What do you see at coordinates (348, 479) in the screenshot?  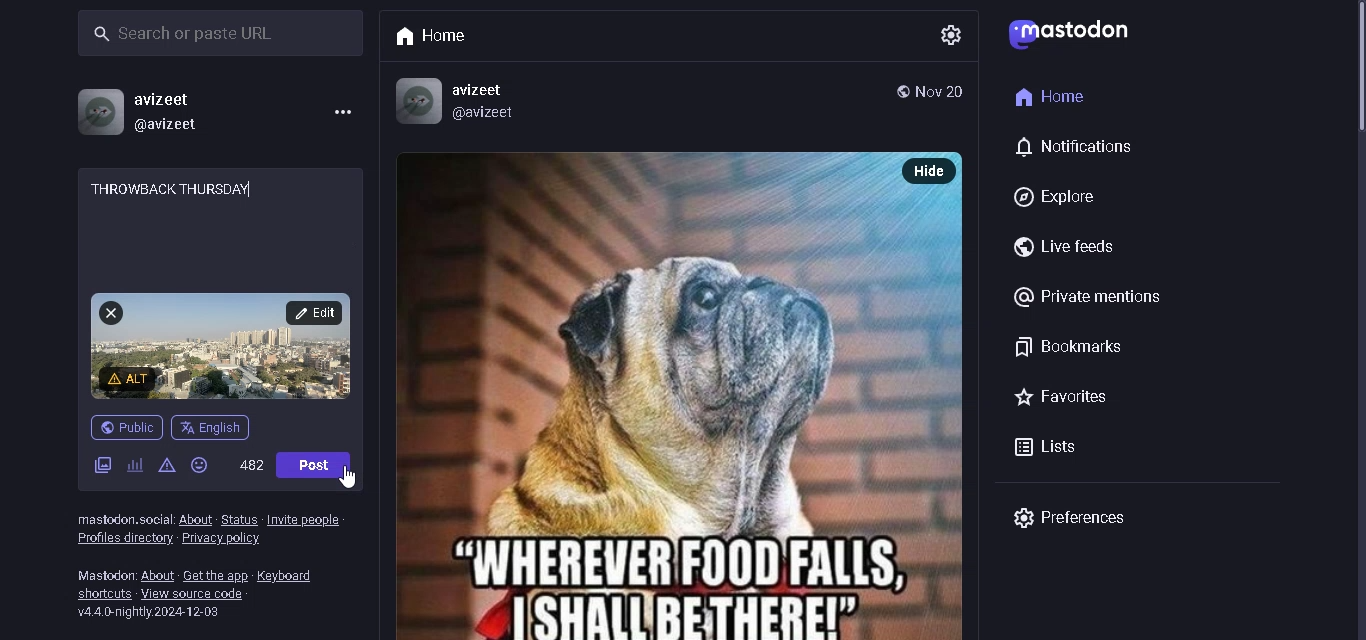 I see `Cursor` at bounding box center [348, 479].